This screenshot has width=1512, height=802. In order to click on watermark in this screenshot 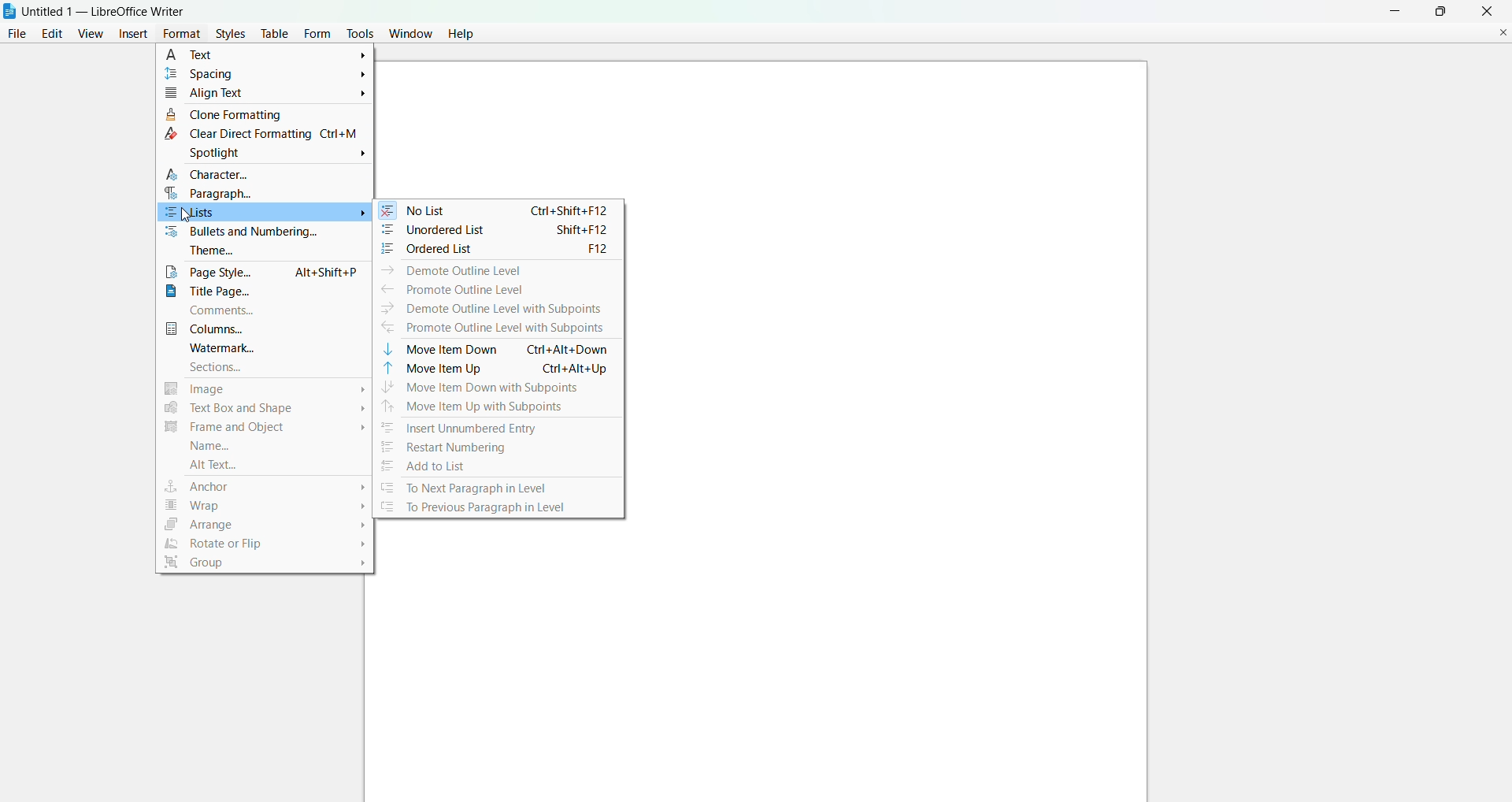, I will do `click(217, 351)`.